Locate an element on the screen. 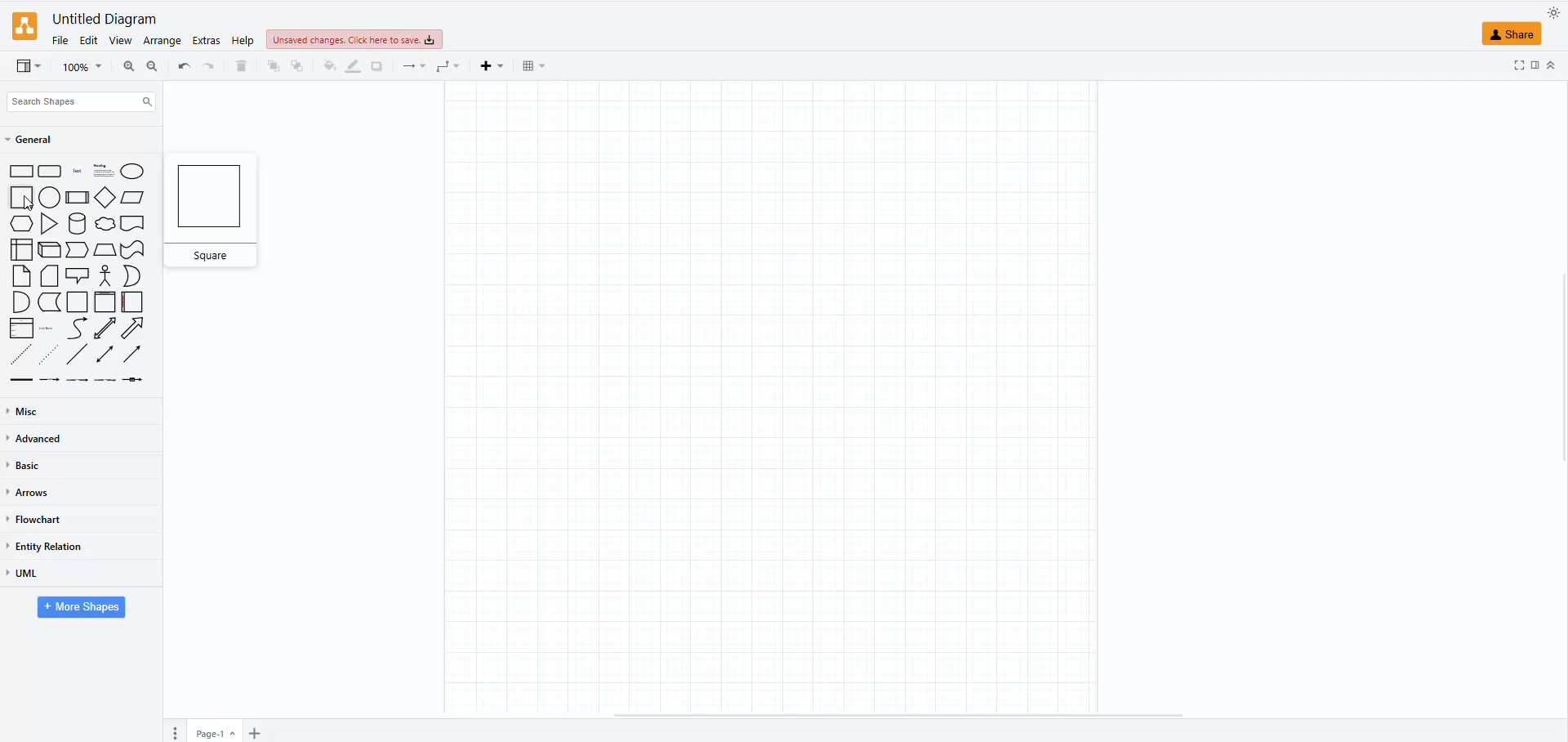 The width and height of the screenshot is (1568, 742). more shapes is located at coordinates (78, 608).